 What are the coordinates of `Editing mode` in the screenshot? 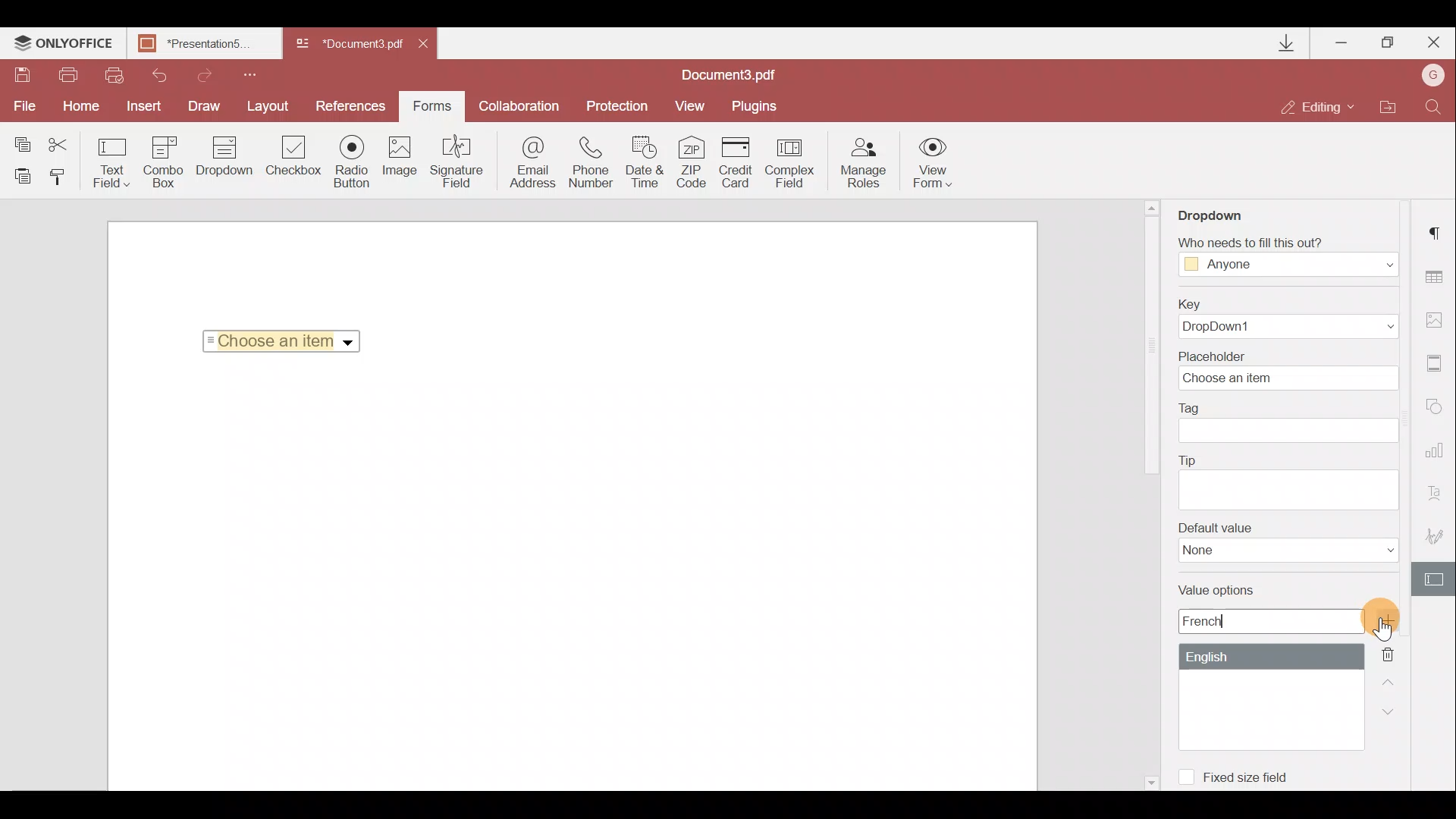 It's located at (1318, 106).